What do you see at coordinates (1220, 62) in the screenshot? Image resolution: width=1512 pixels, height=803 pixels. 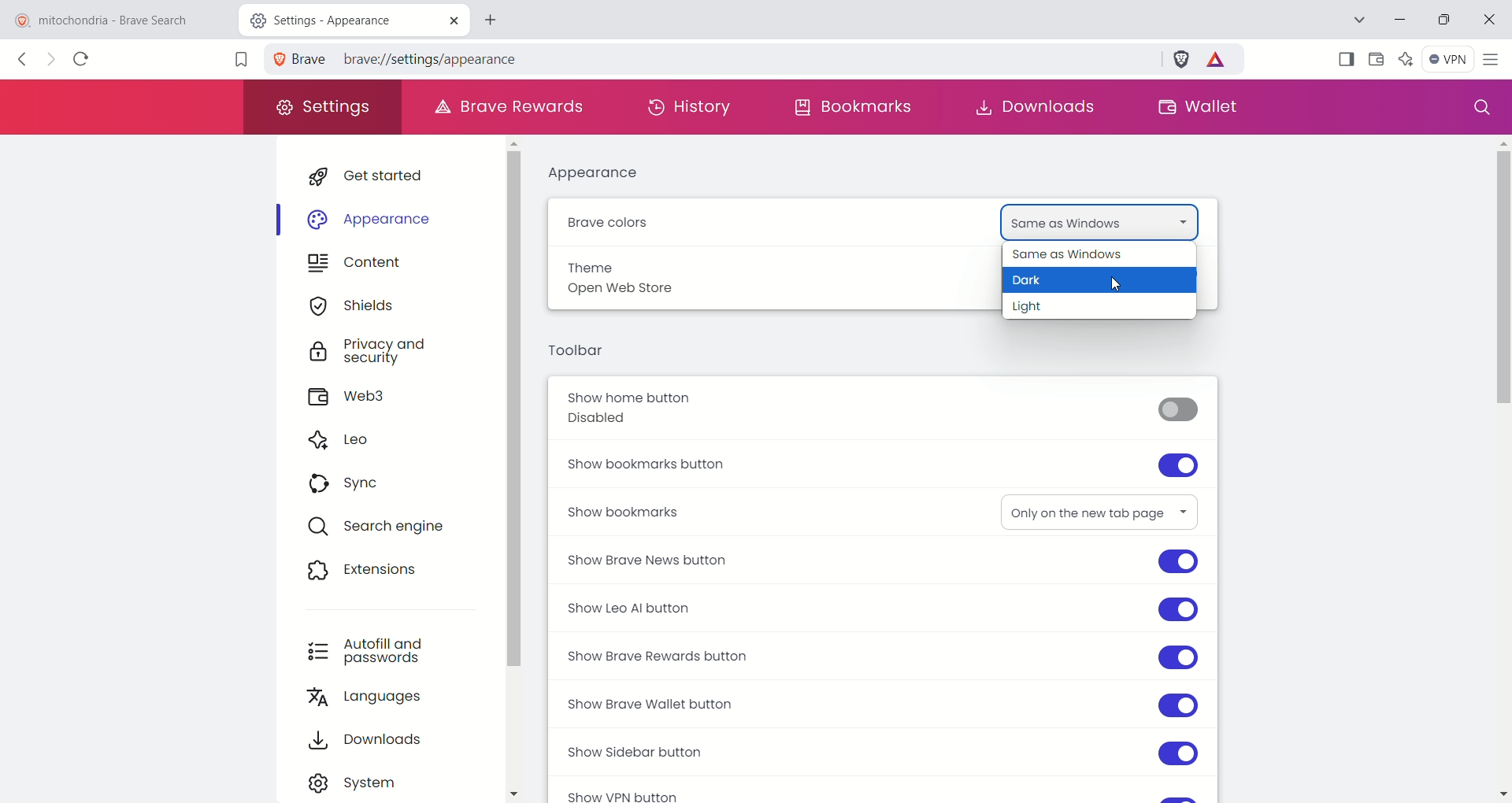 I see `brave rewards` at bounding box center [1220, 62].